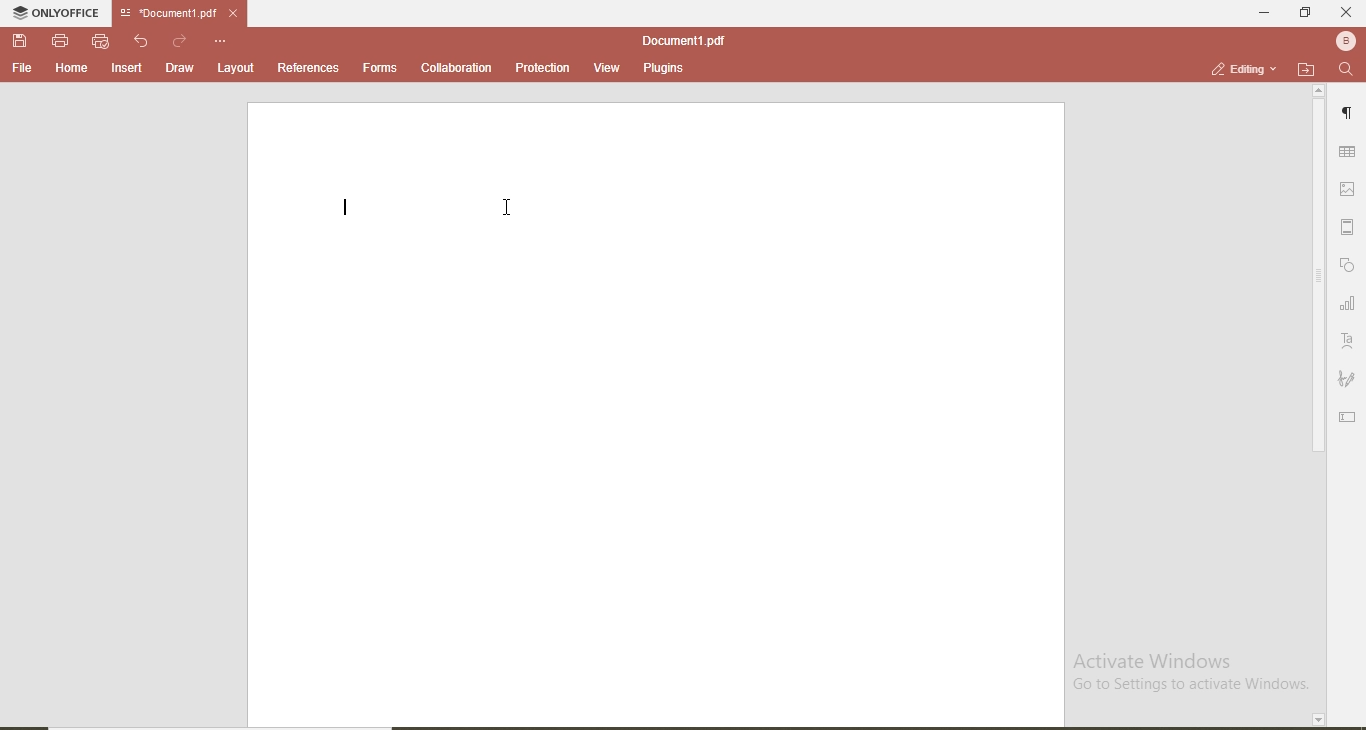  What do you see at coordinates (21, 69) in the screenshot?
I see `file` at bounding box center [21, 69].